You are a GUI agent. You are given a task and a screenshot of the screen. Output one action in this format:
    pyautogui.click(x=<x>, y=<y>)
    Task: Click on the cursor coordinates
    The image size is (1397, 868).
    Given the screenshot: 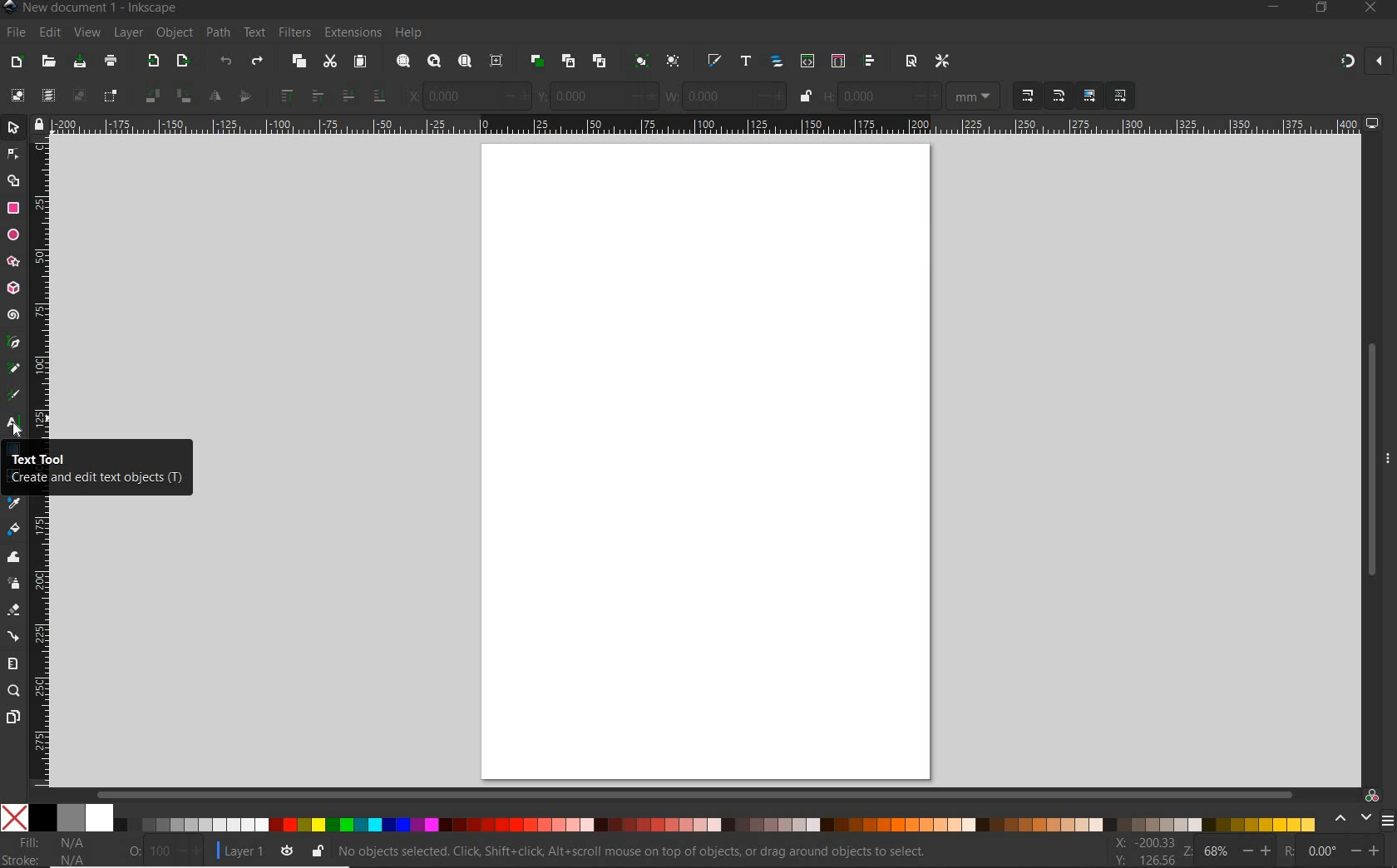 What is the action you would take?
    pyautogui.click(x=1143, y=851)
    